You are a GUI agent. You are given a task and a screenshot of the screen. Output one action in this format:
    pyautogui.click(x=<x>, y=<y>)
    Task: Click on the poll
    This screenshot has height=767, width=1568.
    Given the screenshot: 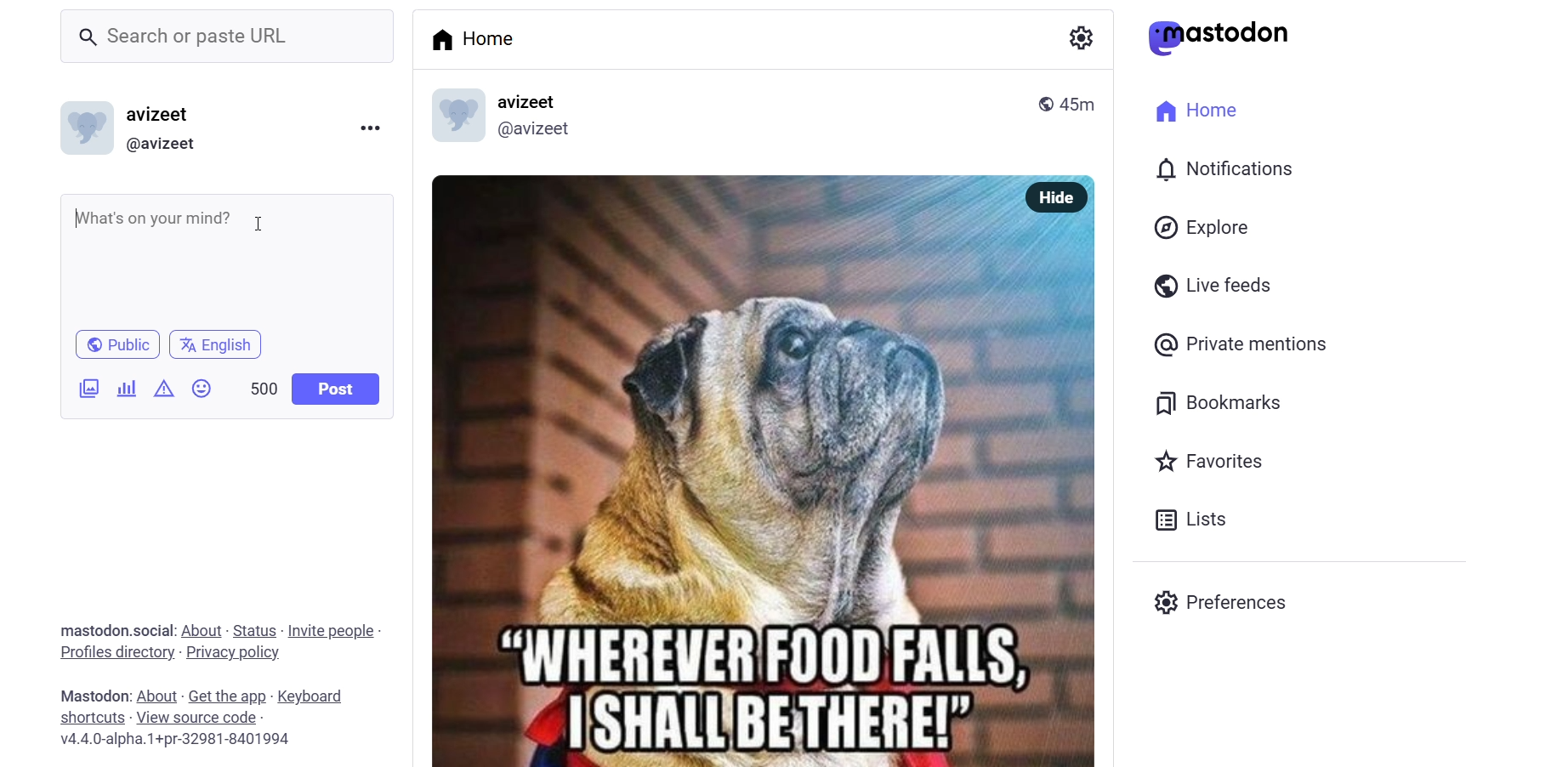 What is the action you would take?
    pyautogui.click(x=125, y=389)
    